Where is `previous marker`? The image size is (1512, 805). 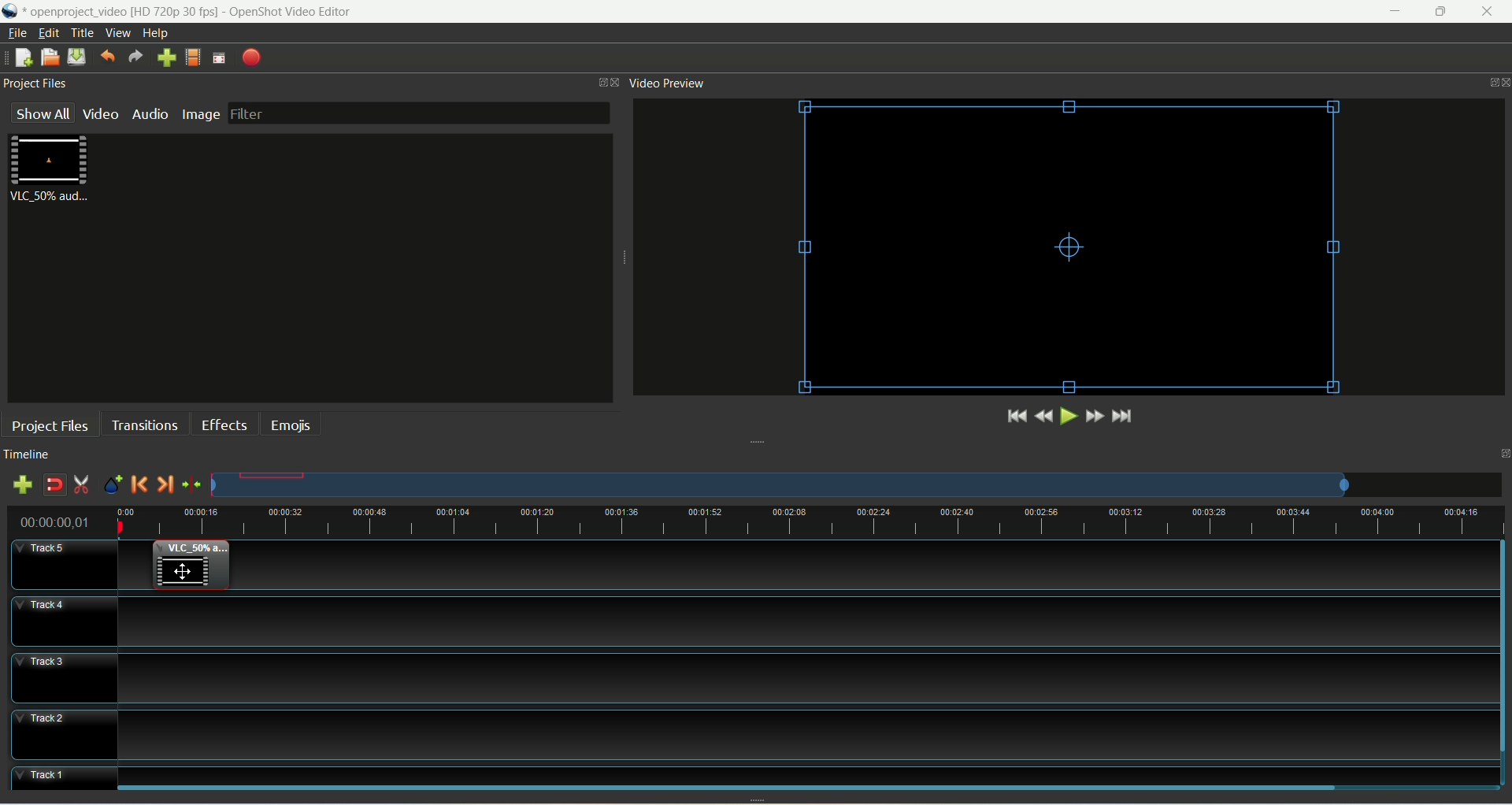 previous marker is located at coordinates (140, 486).